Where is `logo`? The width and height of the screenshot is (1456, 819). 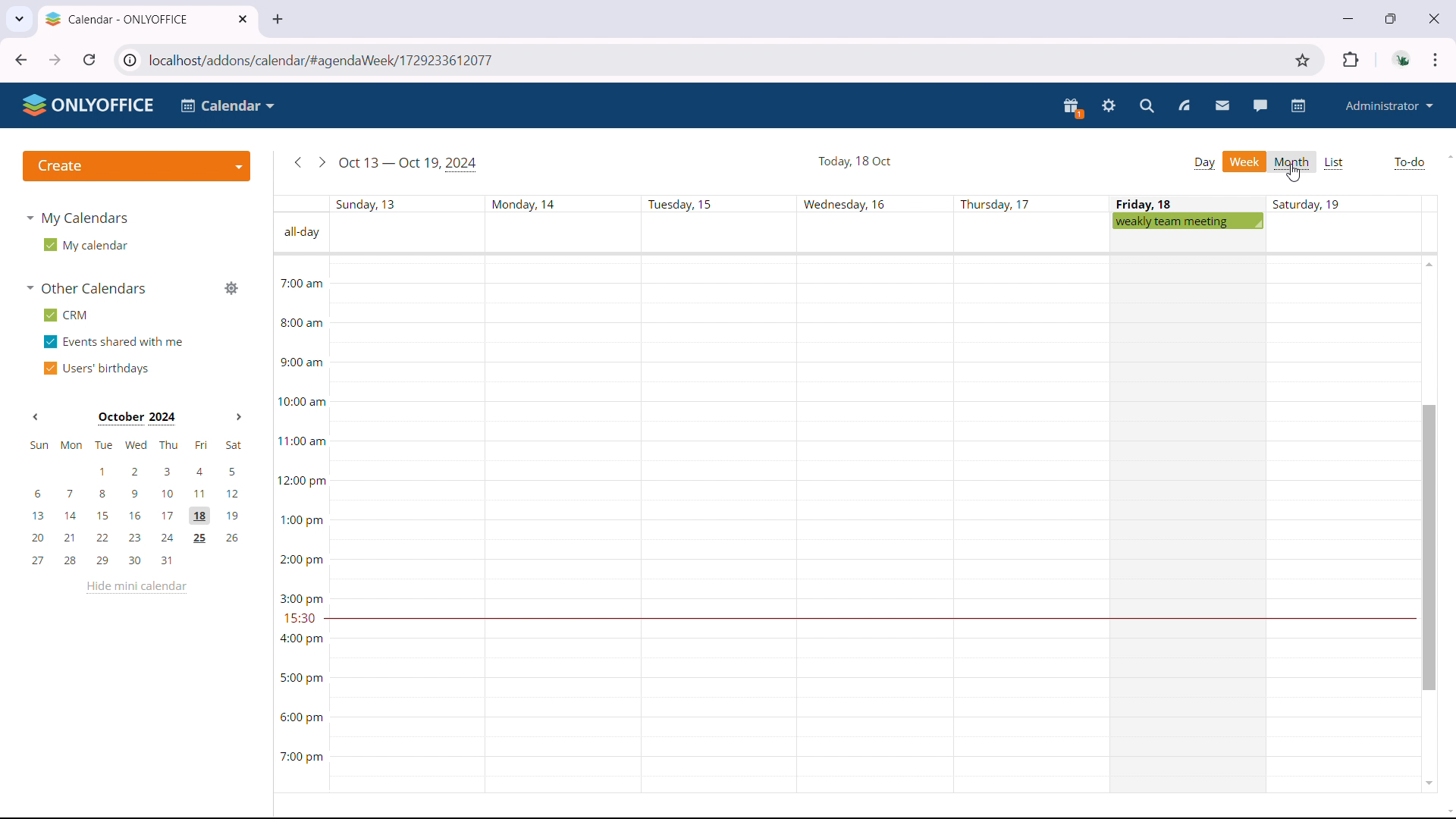 logo is located at coordinates (89, 105).